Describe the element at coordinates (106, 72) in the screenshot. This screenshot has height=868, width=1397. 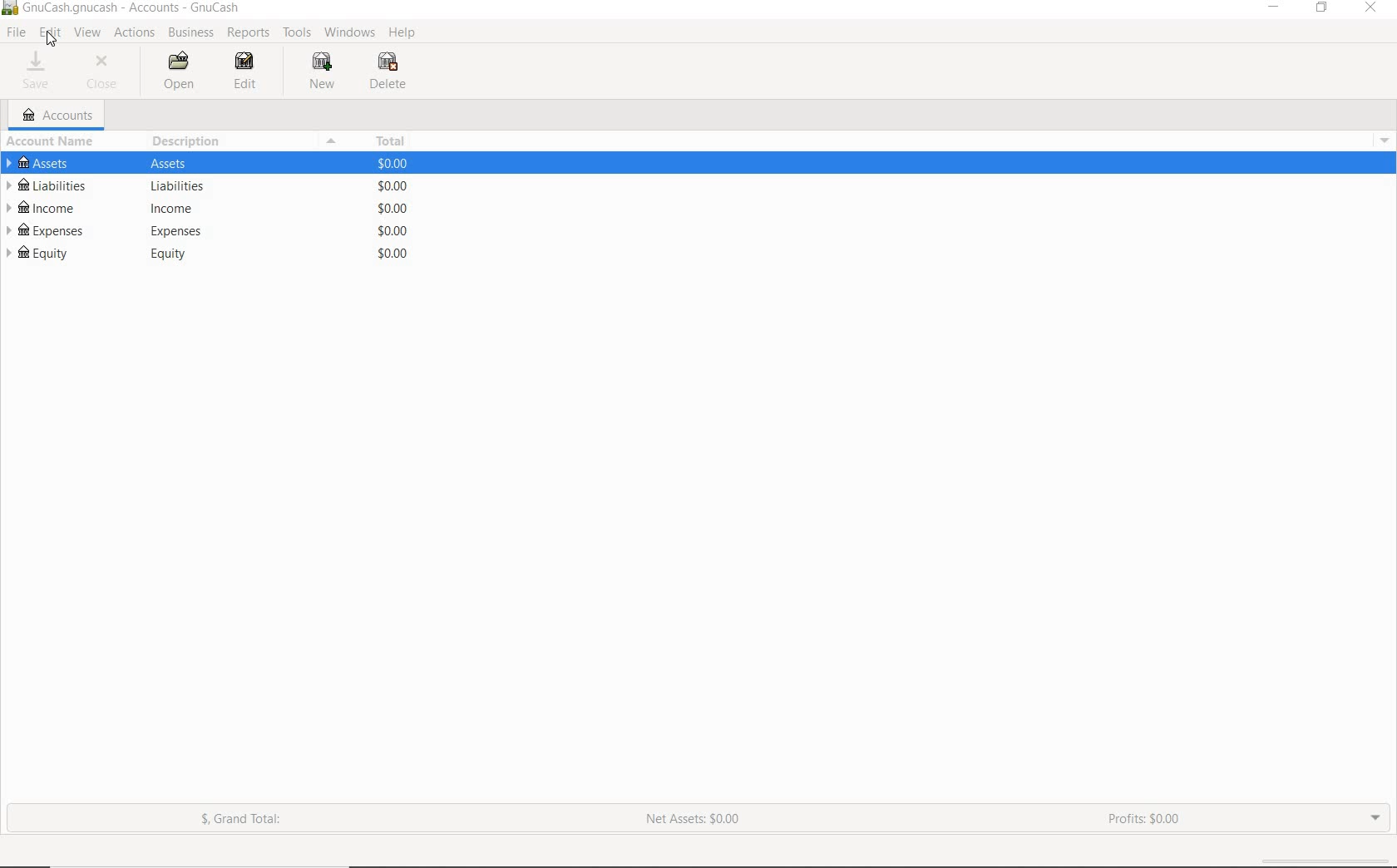
I see `CLOSE` at that location.